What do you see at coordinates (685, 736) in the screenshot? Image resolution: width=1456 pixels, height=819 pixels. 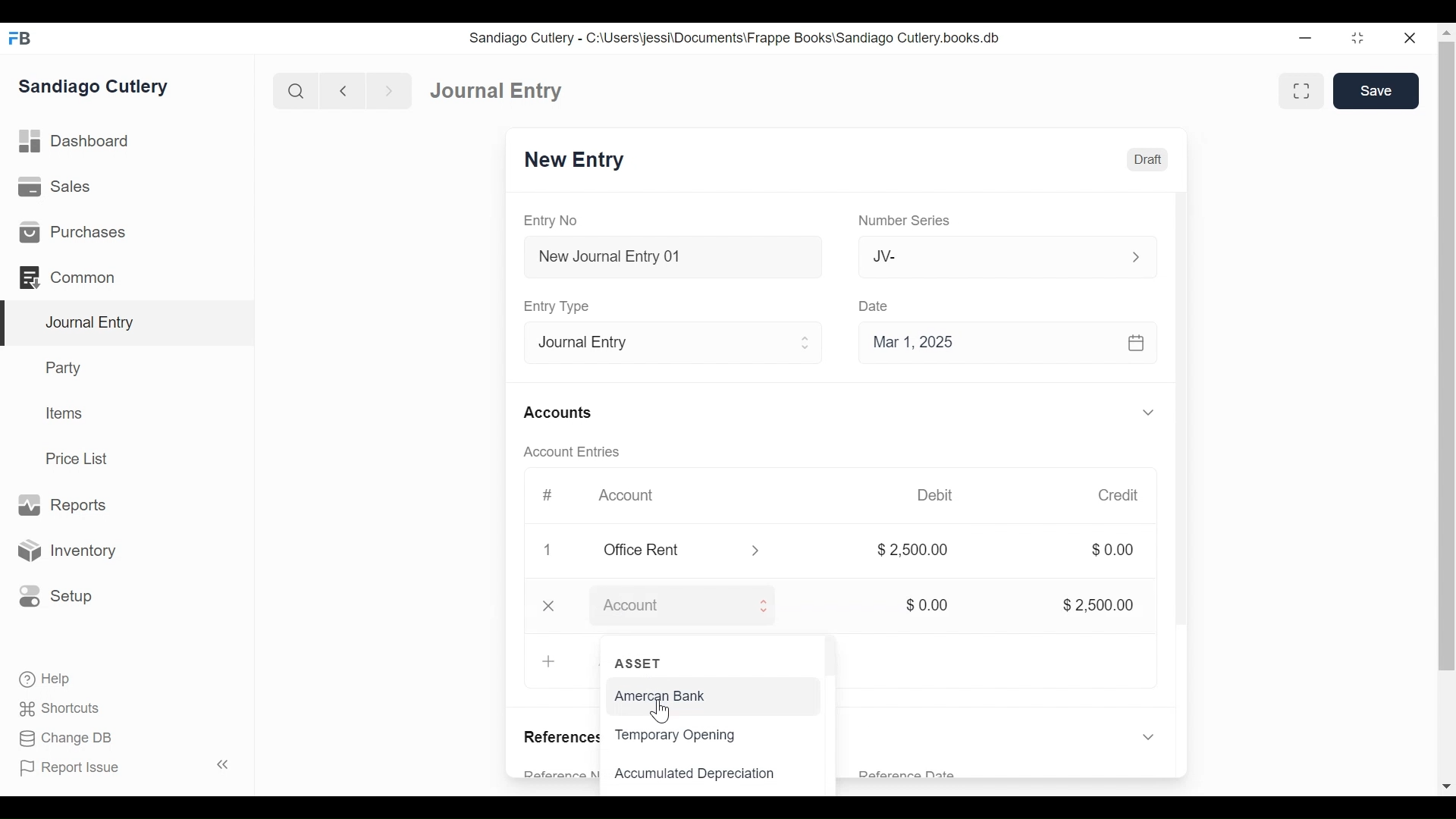 I see `Temporary Opening` at bounding box center [685, 736].